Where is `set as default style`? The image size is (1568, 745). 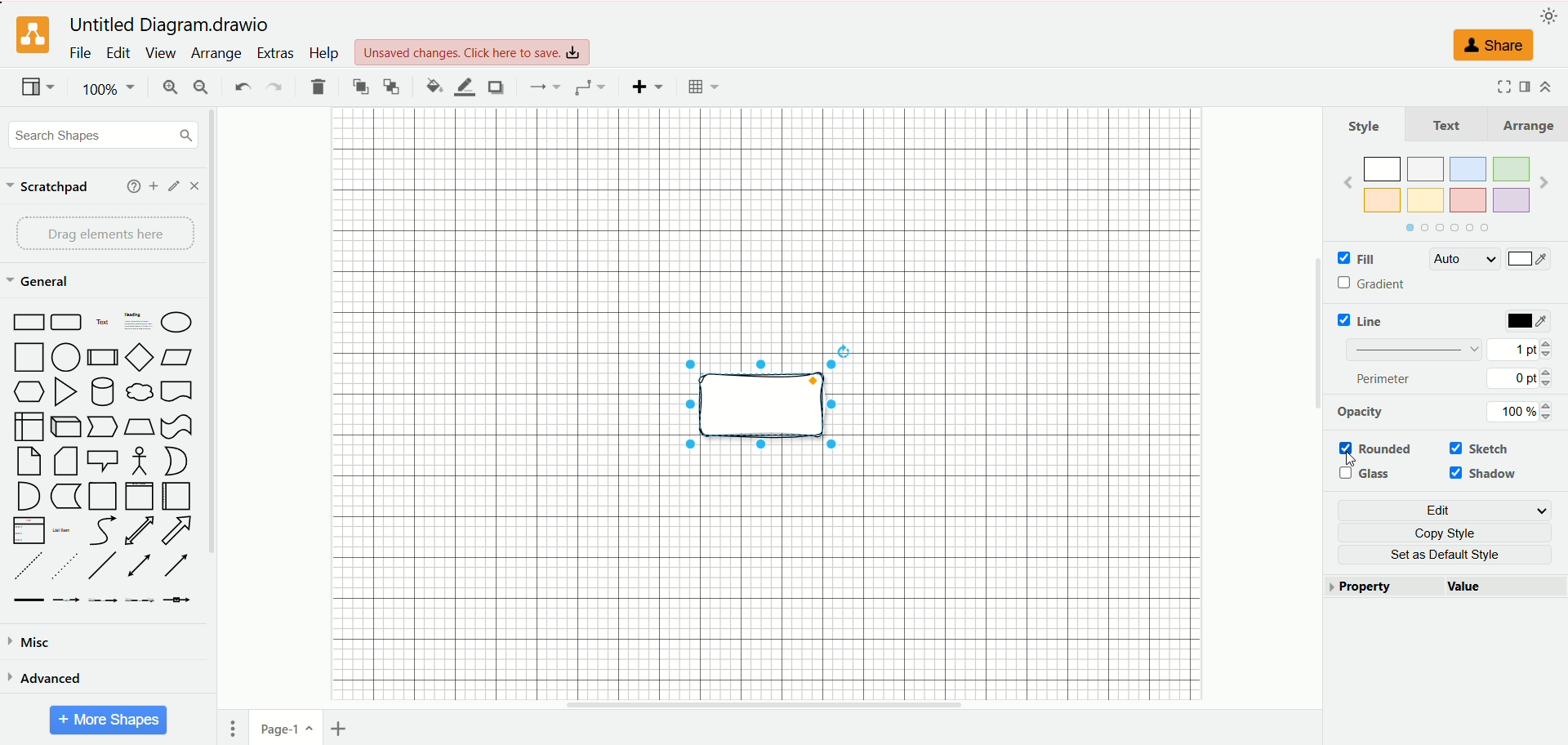
set as default style is located at coordinates (1453, 555).